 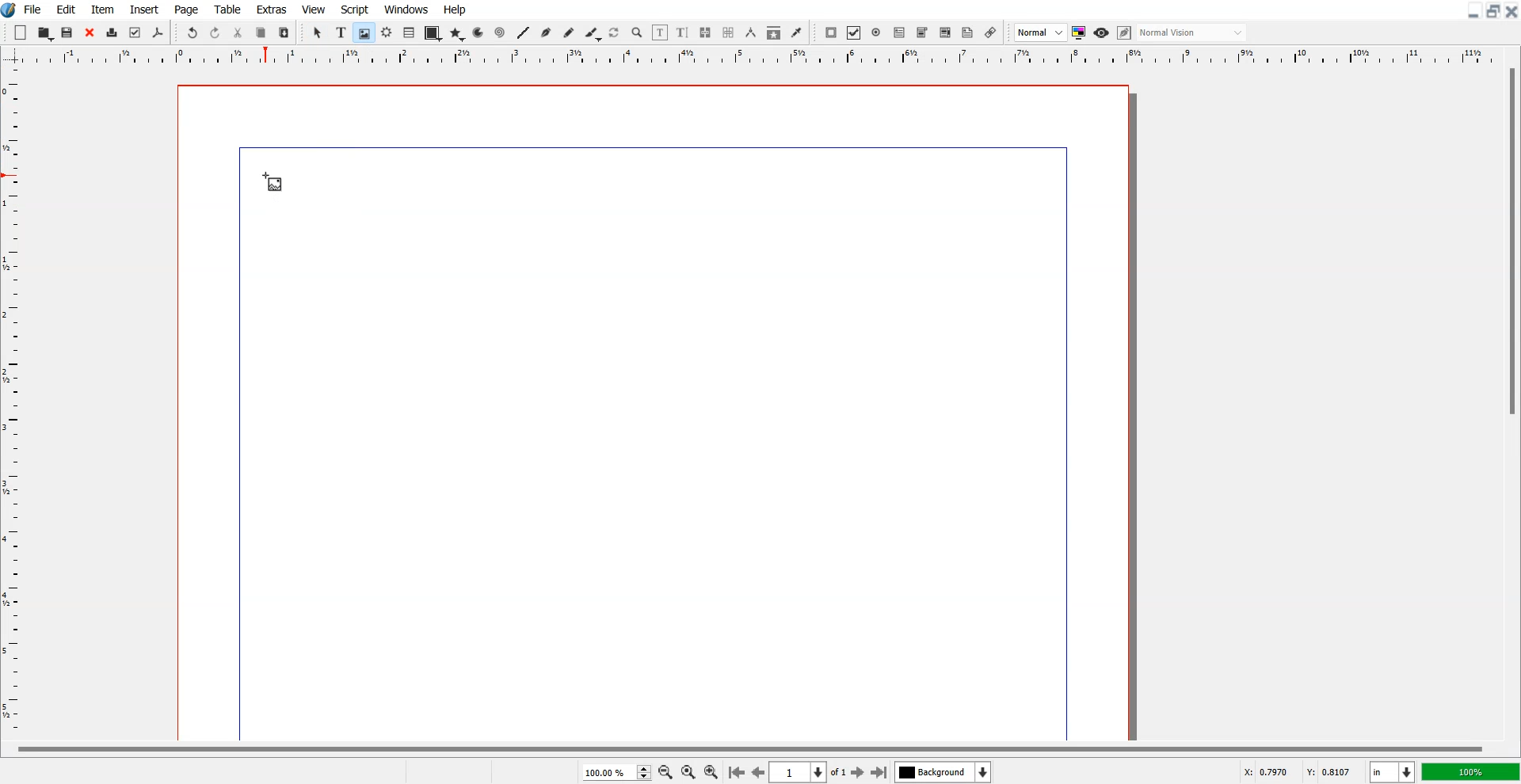 I want to click on Help, so click(x=456, y=10).